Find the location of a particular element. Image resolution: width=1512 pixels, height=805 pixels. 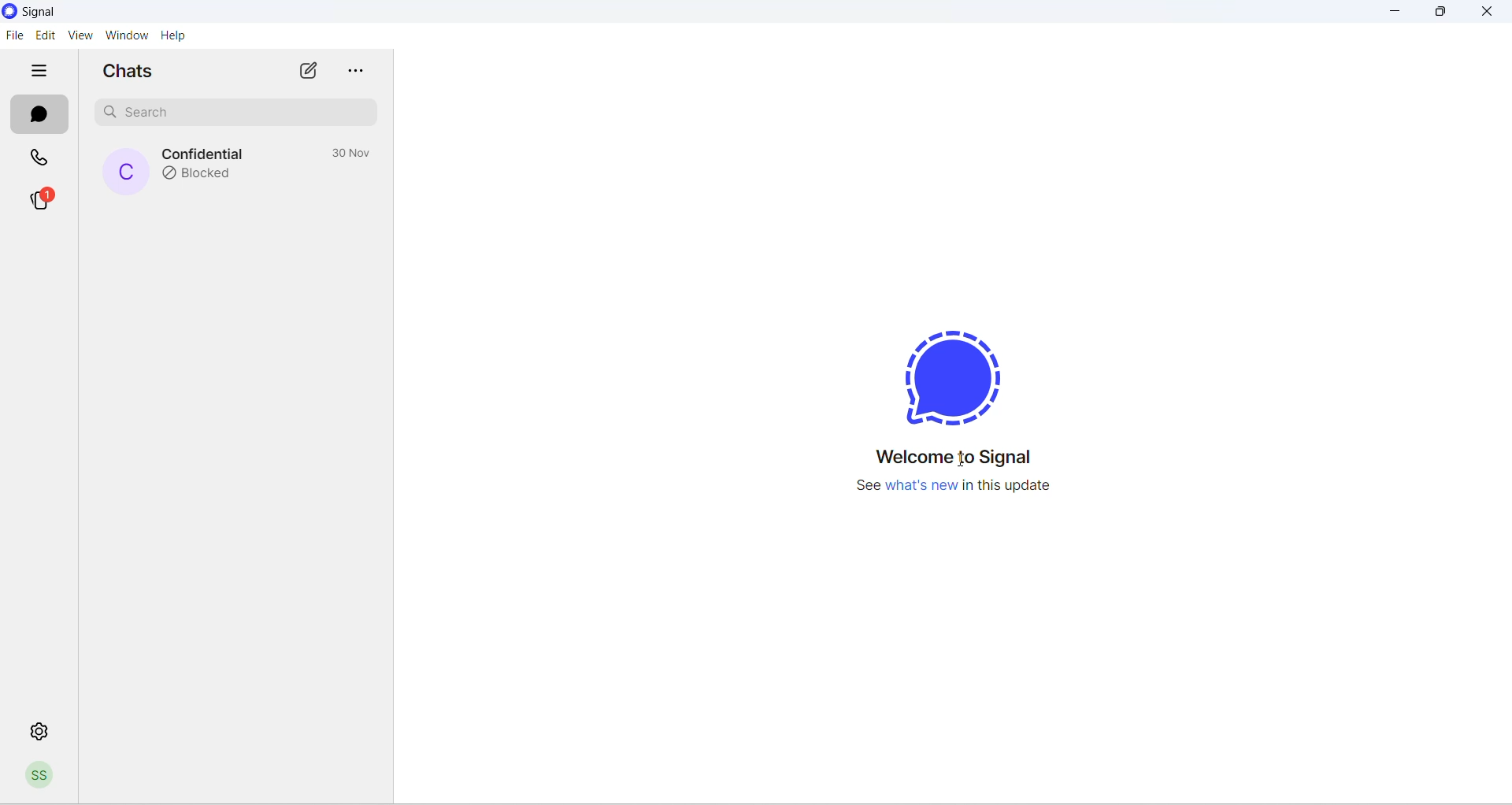

minimize is located at coordinates (1399, 14).